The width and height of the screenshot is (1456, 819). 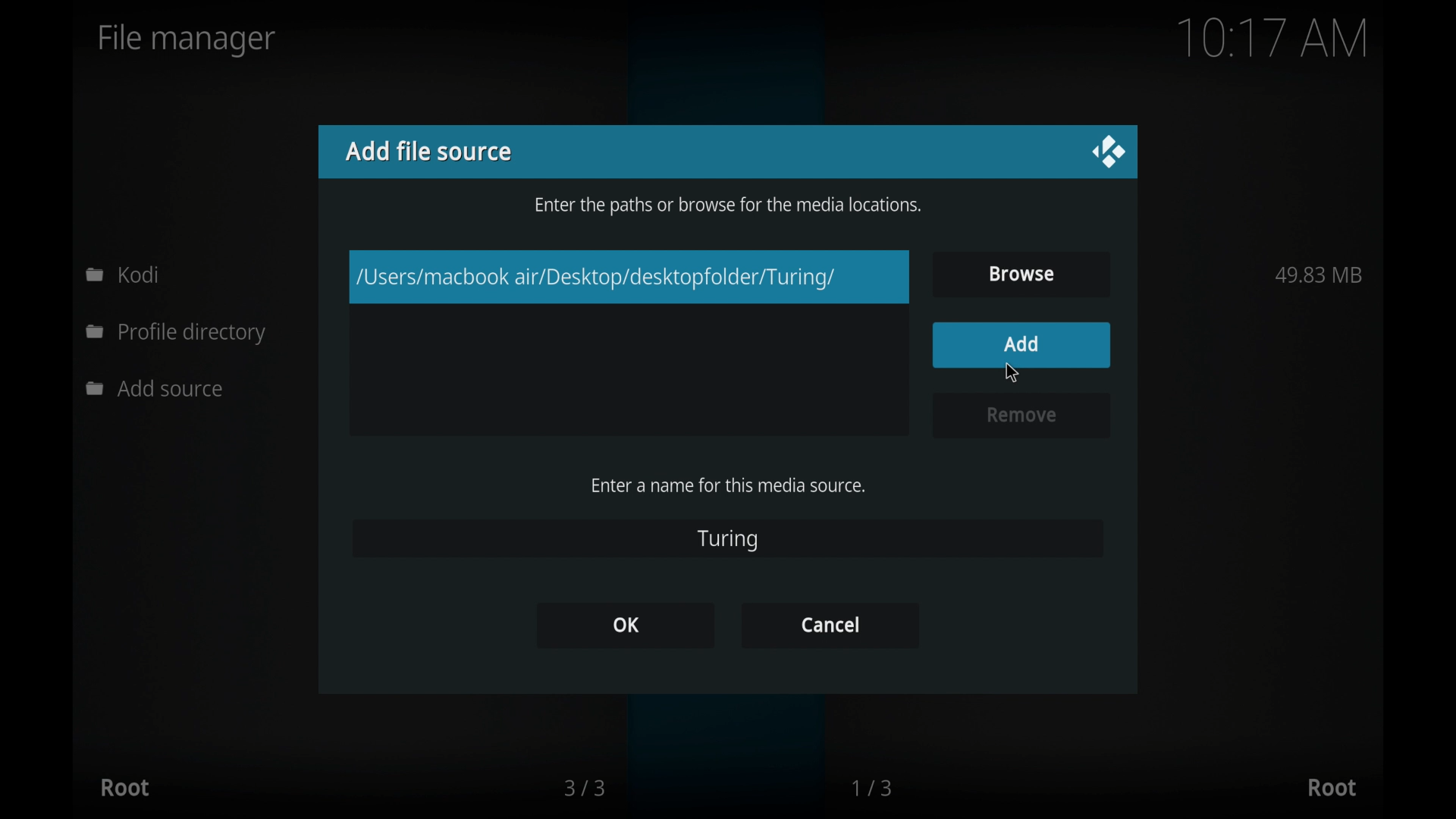 What do you see at coordinates (729, 205) in the screenshot?
I see `enter the paths or browse for the media locations` at bounding box center [729, 205].